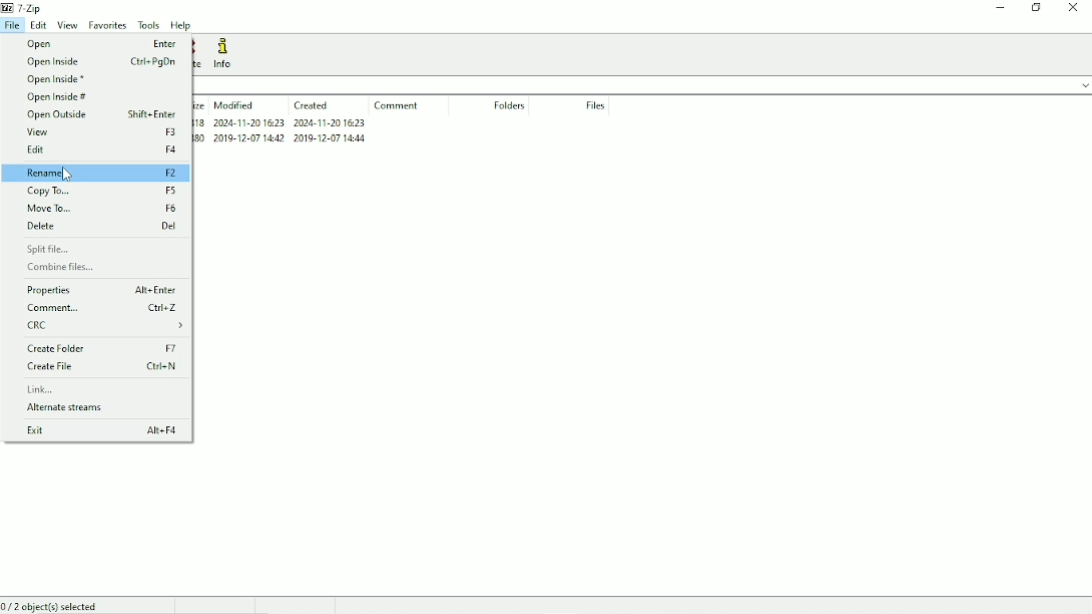 This screenshot has height=614, width=1092. What do you see at coordinates (235, 105) in the screenshot?
I see `Modified` at bounding box center [235, 105].